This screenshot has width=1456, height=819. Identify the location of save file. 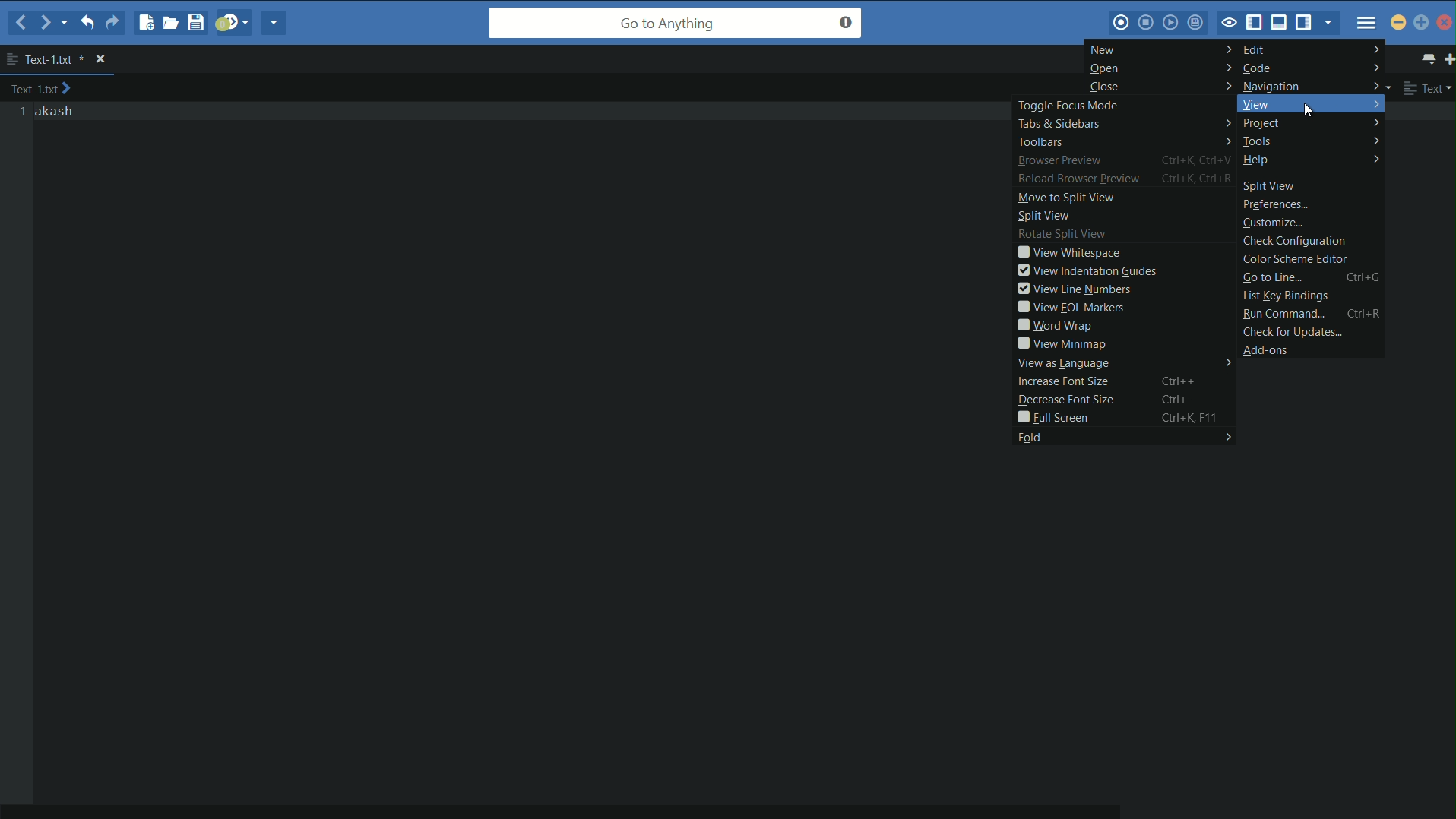
(198, 22).